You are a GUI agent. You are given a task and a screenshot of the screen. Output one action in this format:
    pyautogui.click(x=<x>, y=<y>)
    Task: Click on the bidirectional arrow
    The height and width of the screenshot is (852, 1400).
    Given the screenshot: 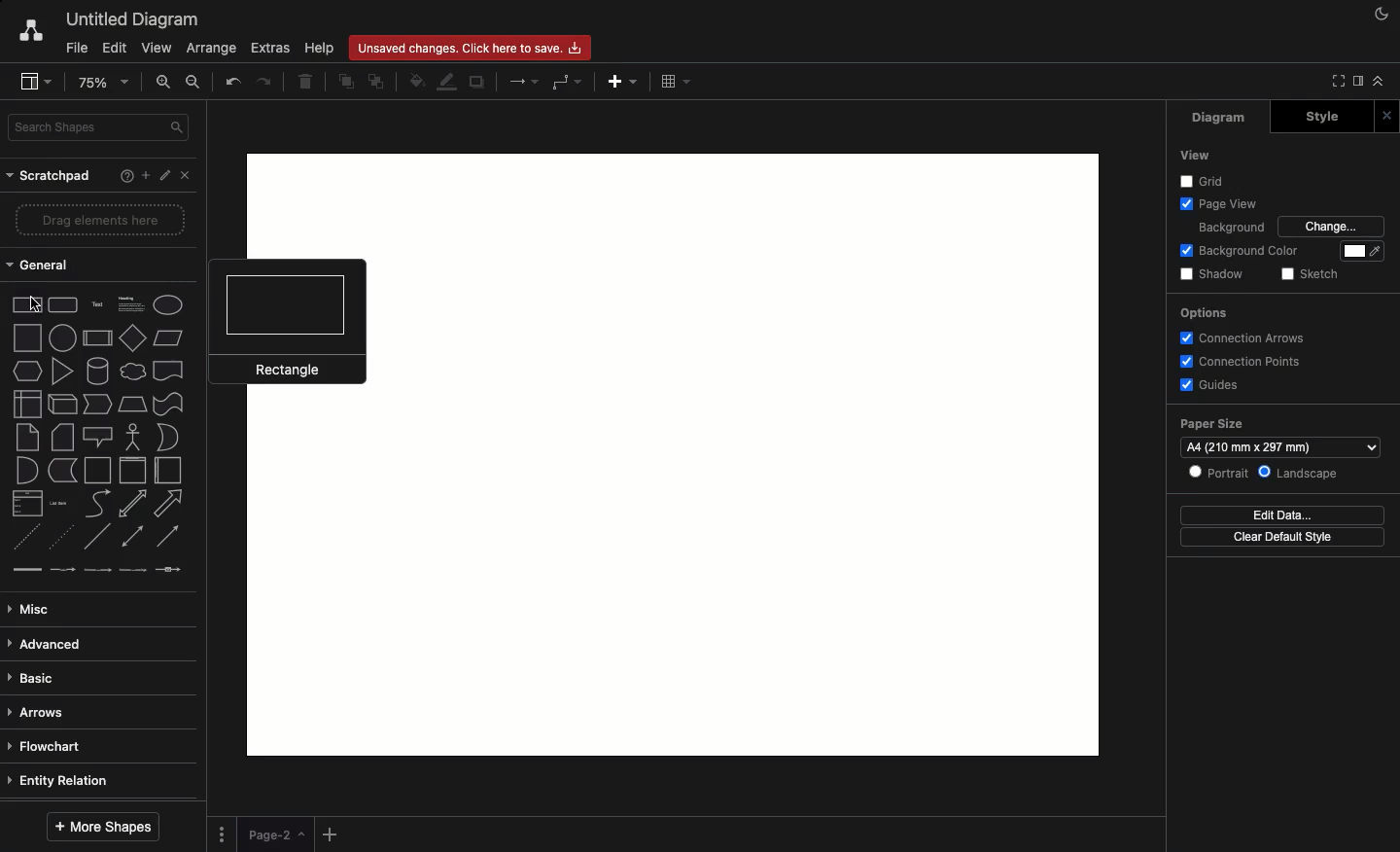 What is the action you would take?
    pyautogui.click(x=133, y=505)
    